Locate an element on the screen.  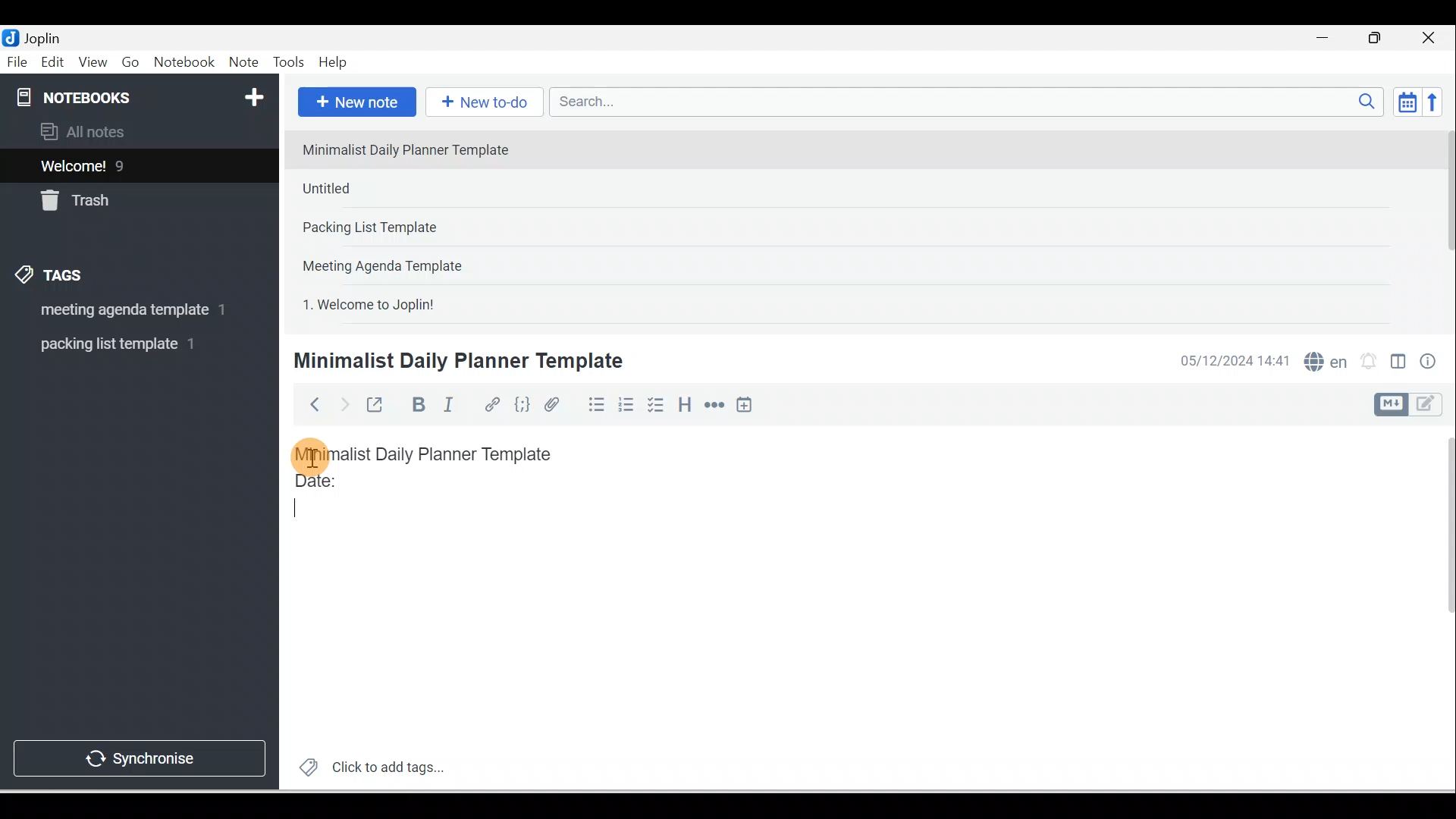
Notes is located at coordinates (128, 162).